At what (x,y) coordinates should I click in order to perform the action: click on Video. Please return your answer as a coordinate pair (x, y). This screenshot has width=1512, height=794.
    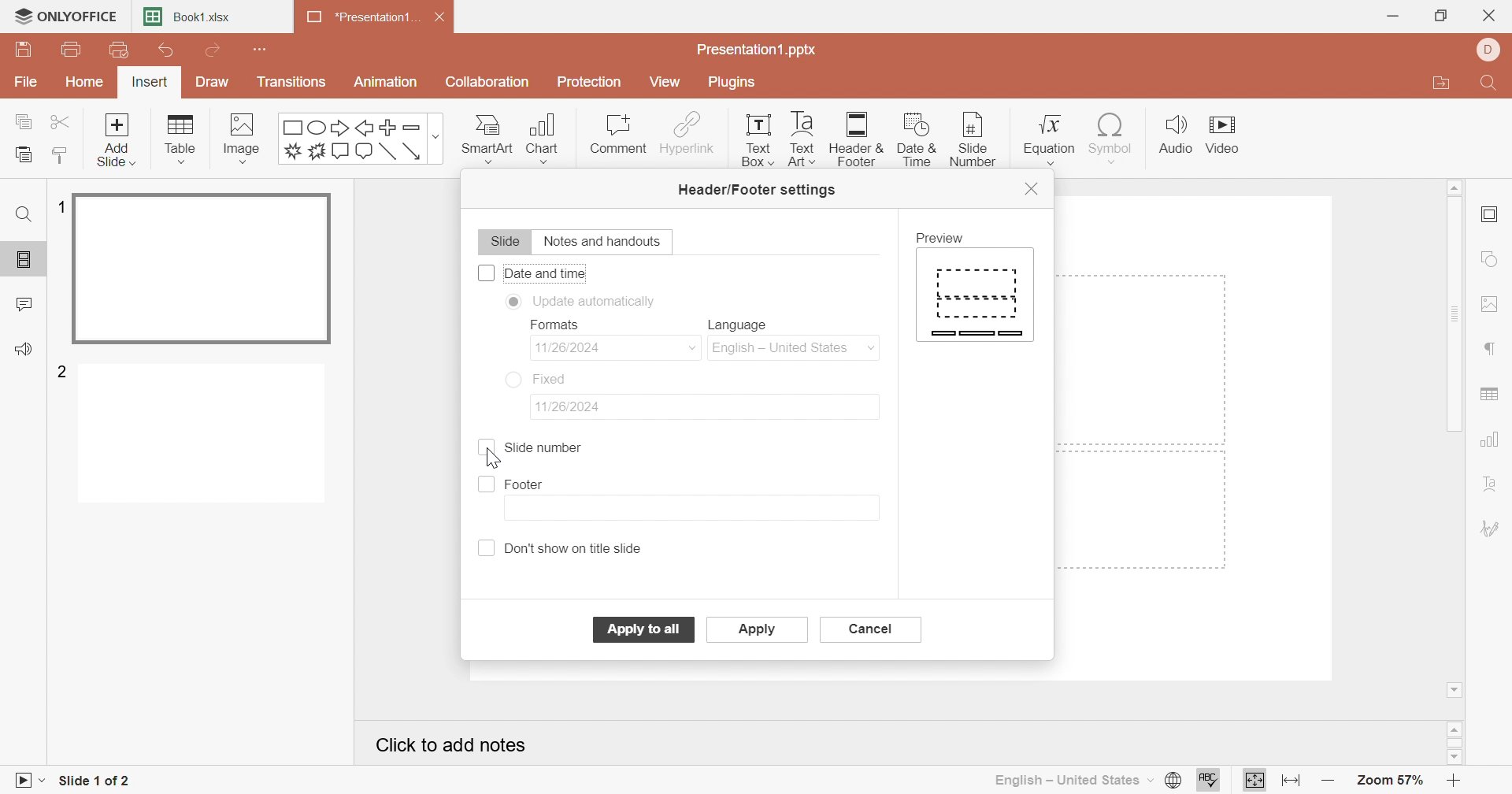
    Looking at the image, I should click on (1229, 137).